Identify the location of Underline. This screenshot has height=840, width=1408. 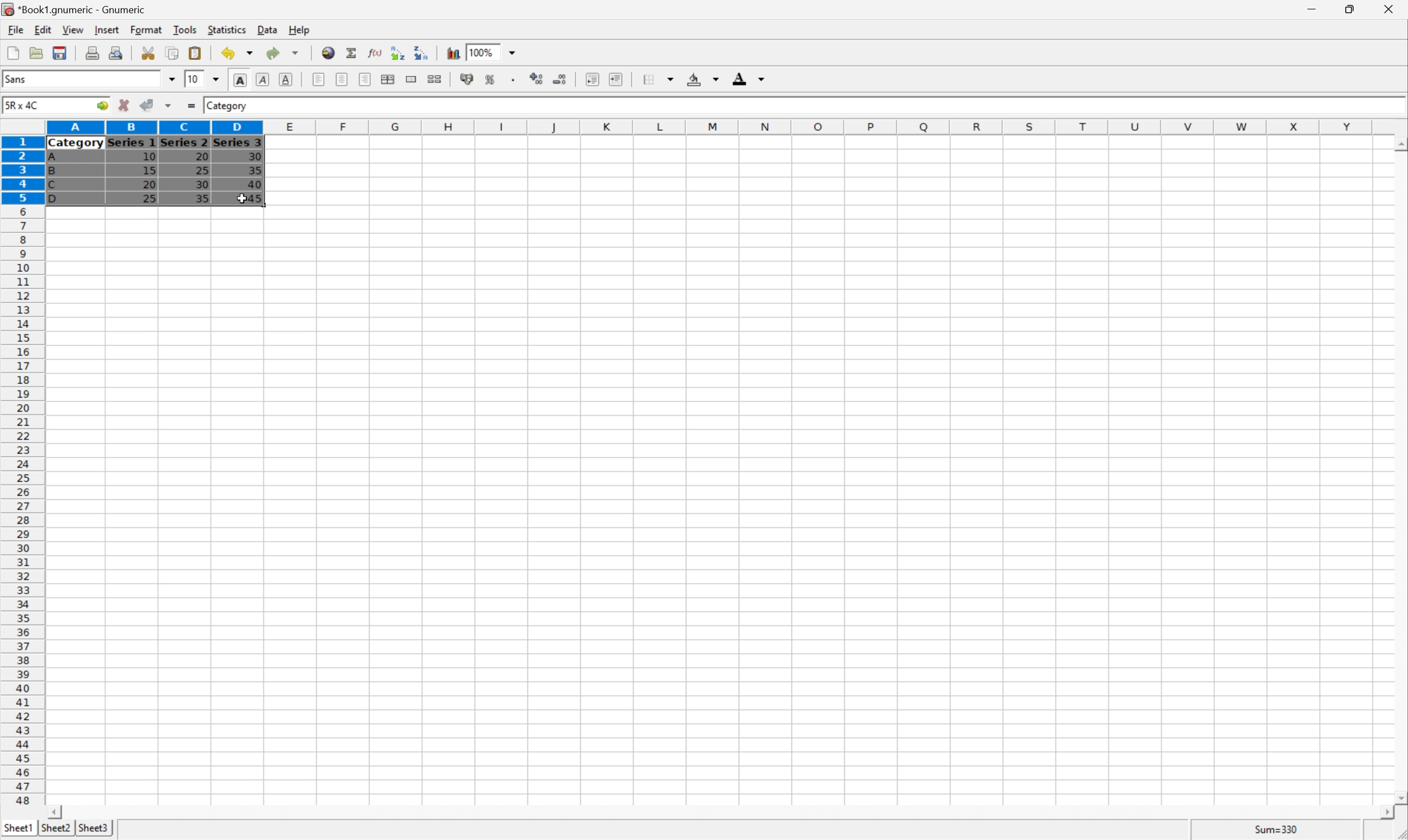
(286, 78).